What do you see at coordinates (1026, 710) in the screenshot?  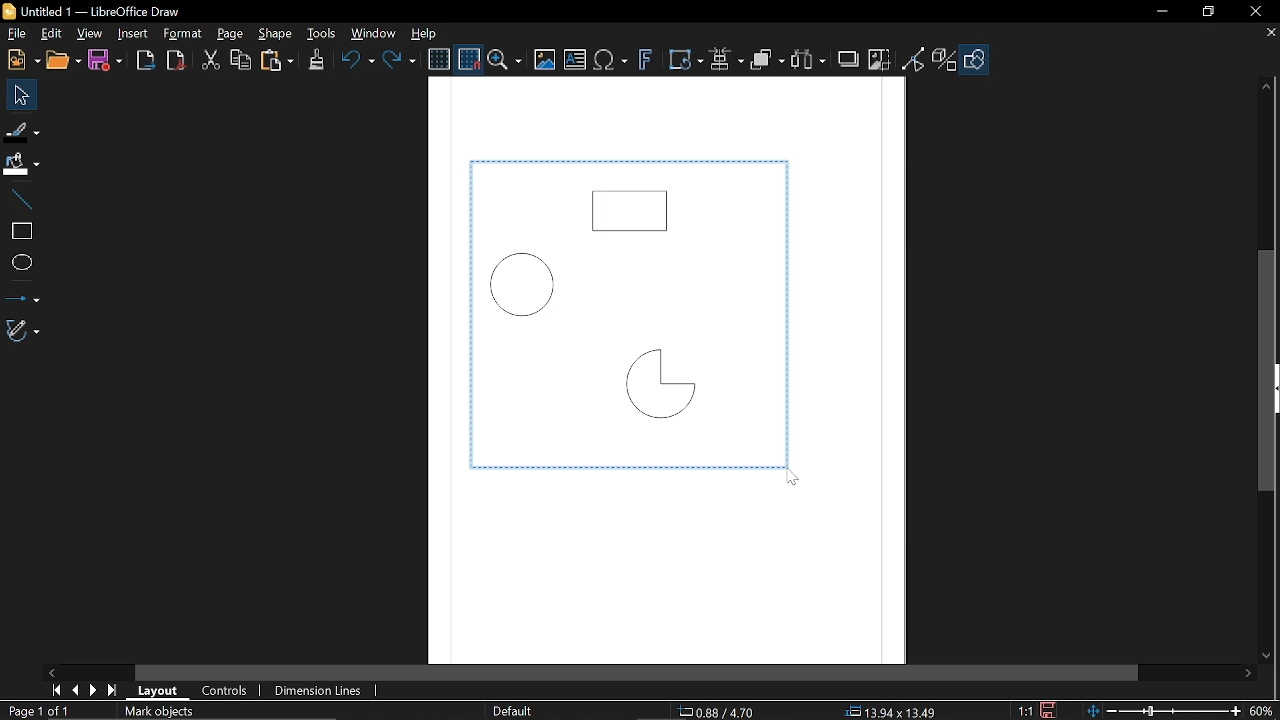 I see `1:1 (Scaling factor)` at bounding box center [1026, 710].